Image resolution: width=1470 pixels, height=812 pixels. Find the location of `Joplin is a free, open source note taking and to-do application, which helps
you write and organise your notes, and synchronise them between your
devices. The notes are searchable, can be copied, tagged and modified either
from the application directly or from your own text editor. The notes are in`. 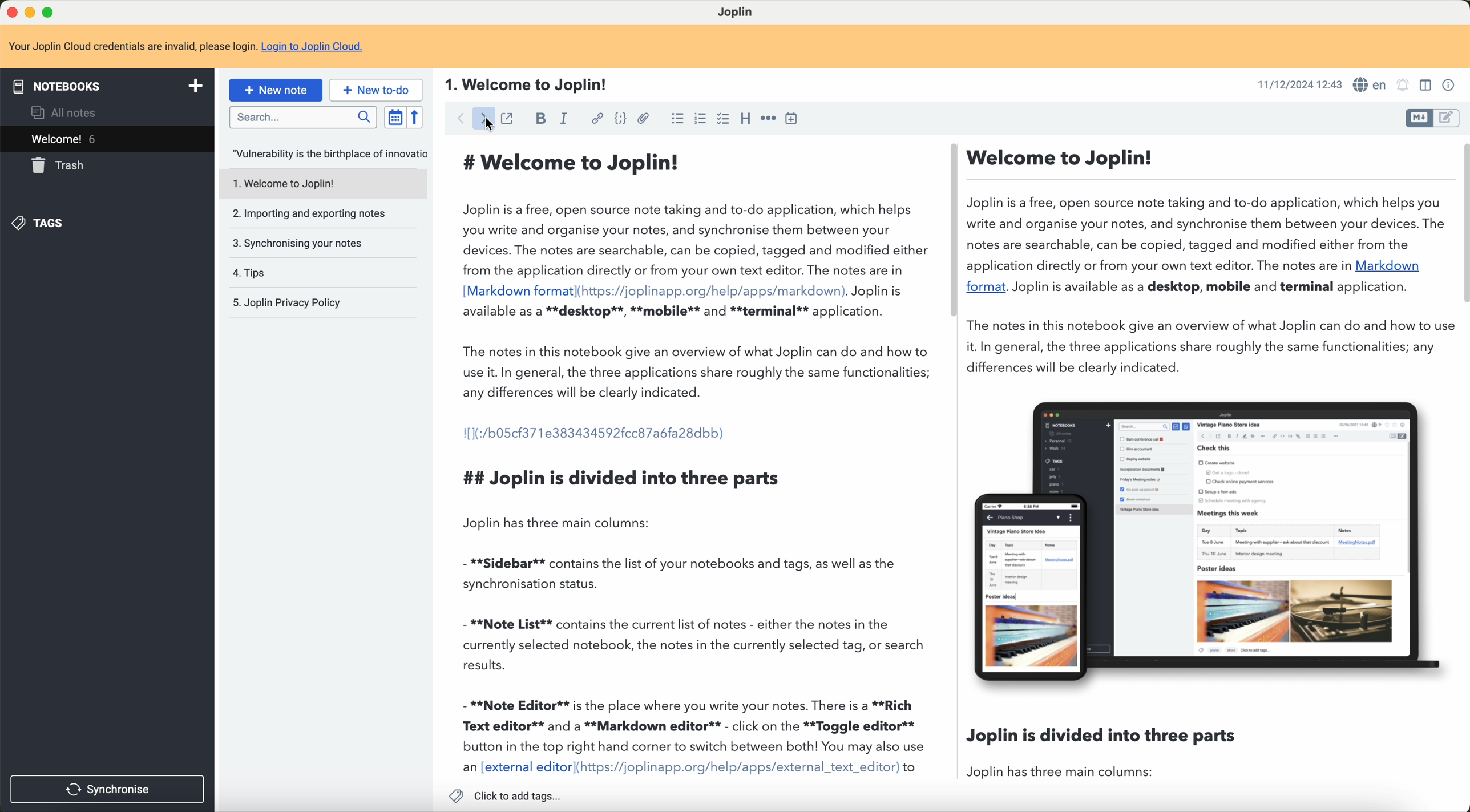

Joplin is a free, open source note taking and to-do application, which helps
you write and organise your notes, and synchronise them between your
devices. The notes are searchable, can be copied, tagged and modified either
from the application directly or from your own text editor. The notes are in is located at coordinates (691, 241).